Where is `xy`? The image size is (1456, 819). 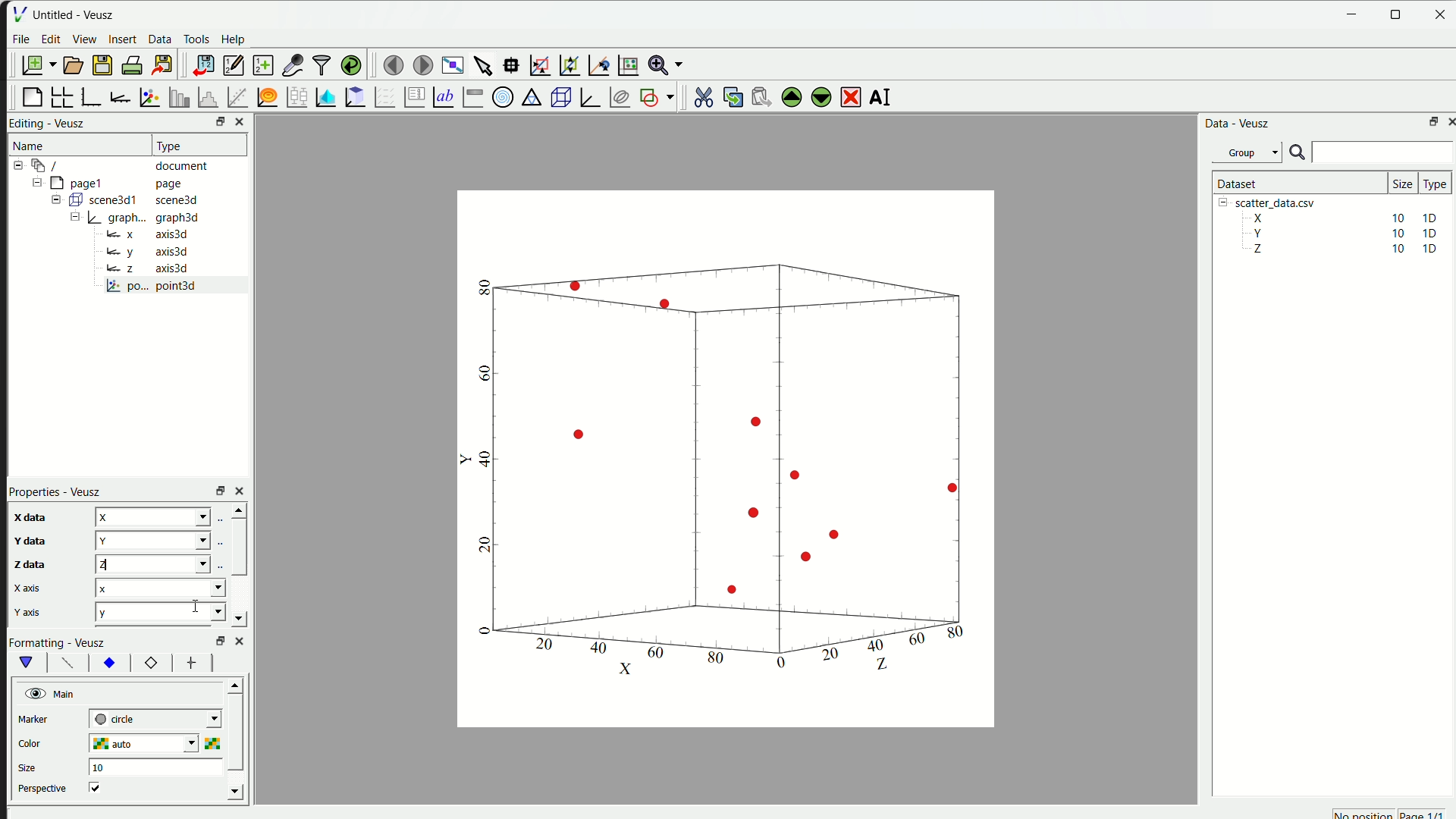 xy is located at coordinates (110, 664).